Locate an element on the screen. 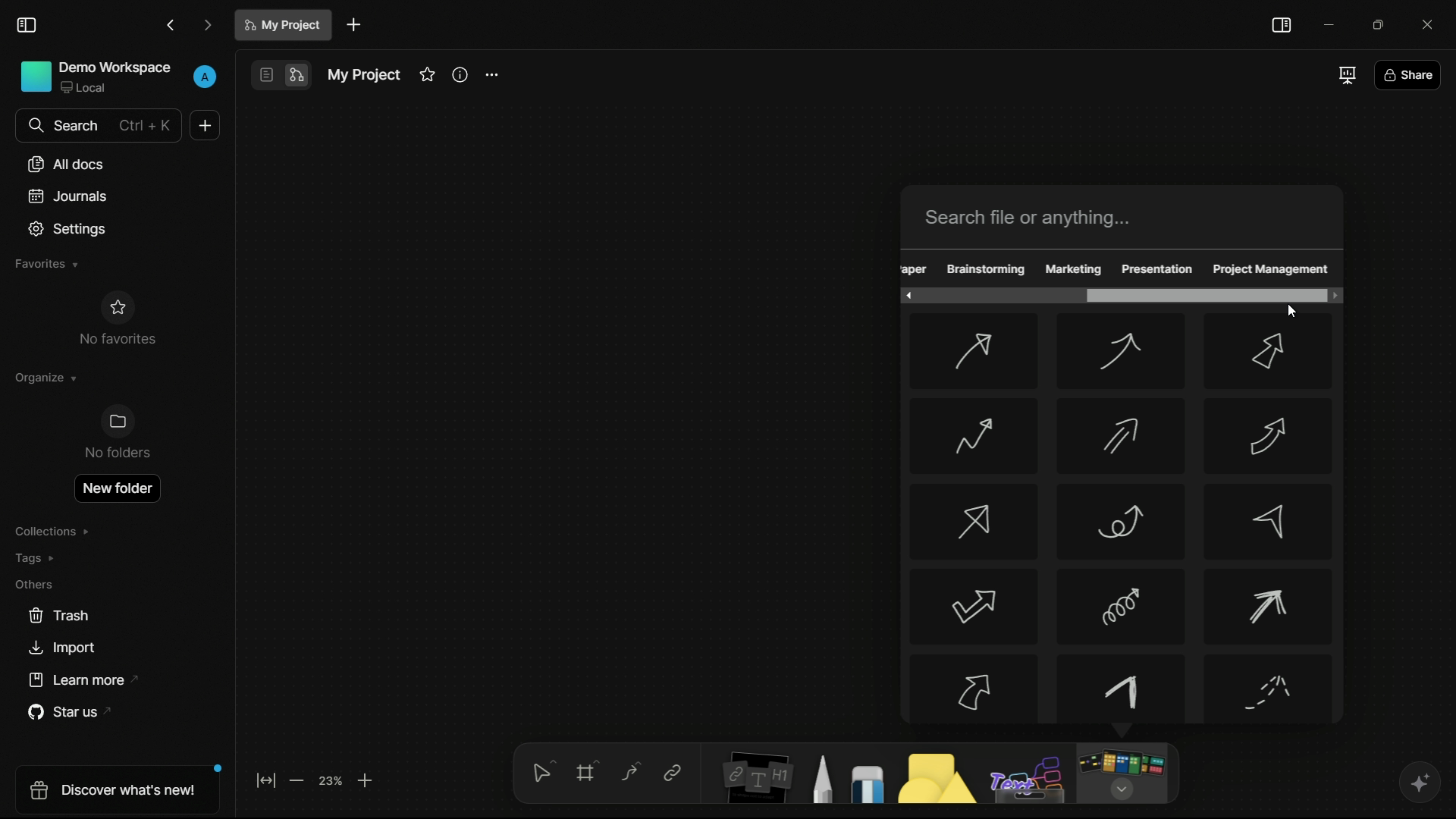  learn more is located at coordinates (86, 680).